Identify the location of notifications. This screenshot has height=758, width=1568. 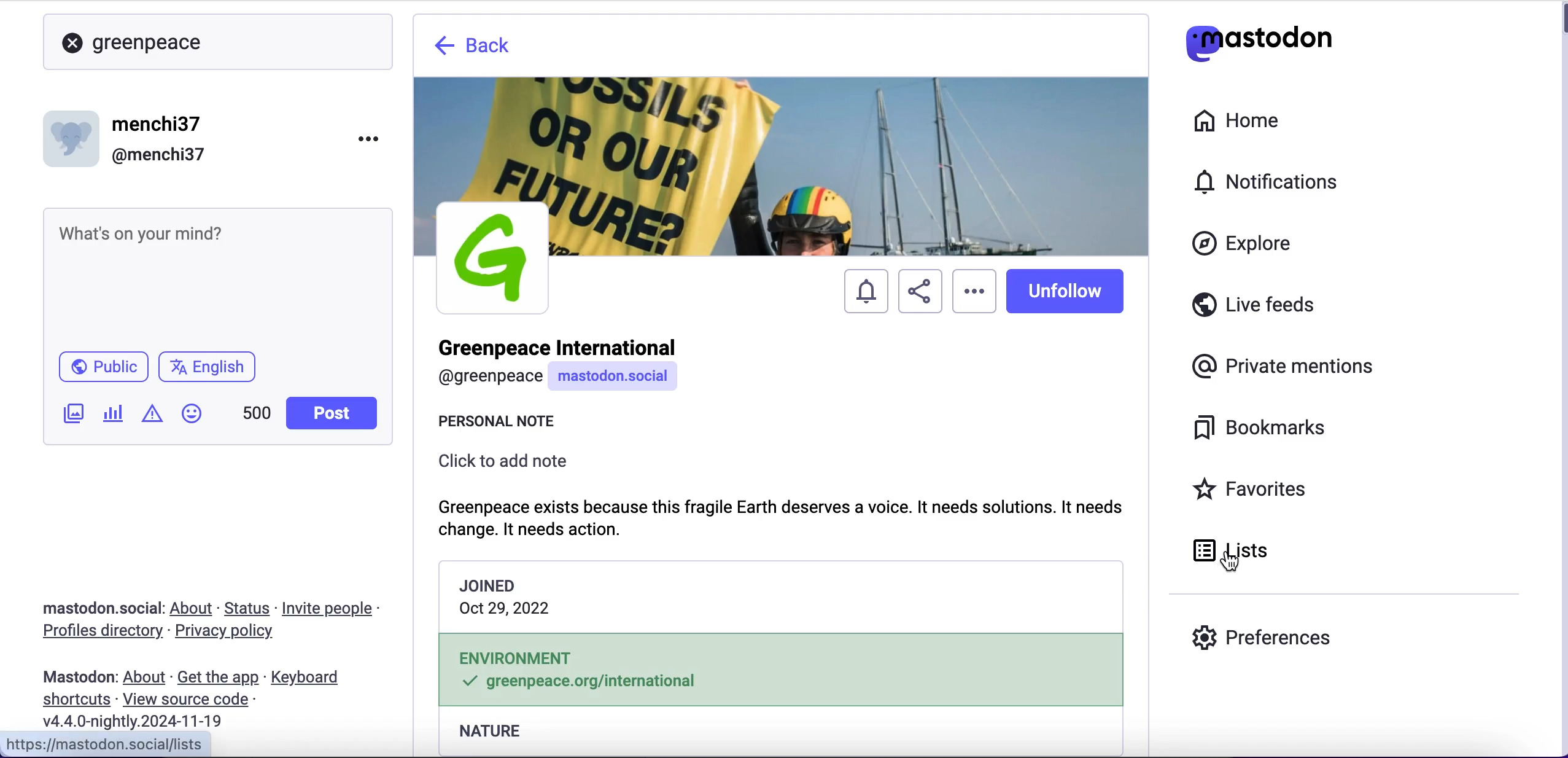
(863, 292).